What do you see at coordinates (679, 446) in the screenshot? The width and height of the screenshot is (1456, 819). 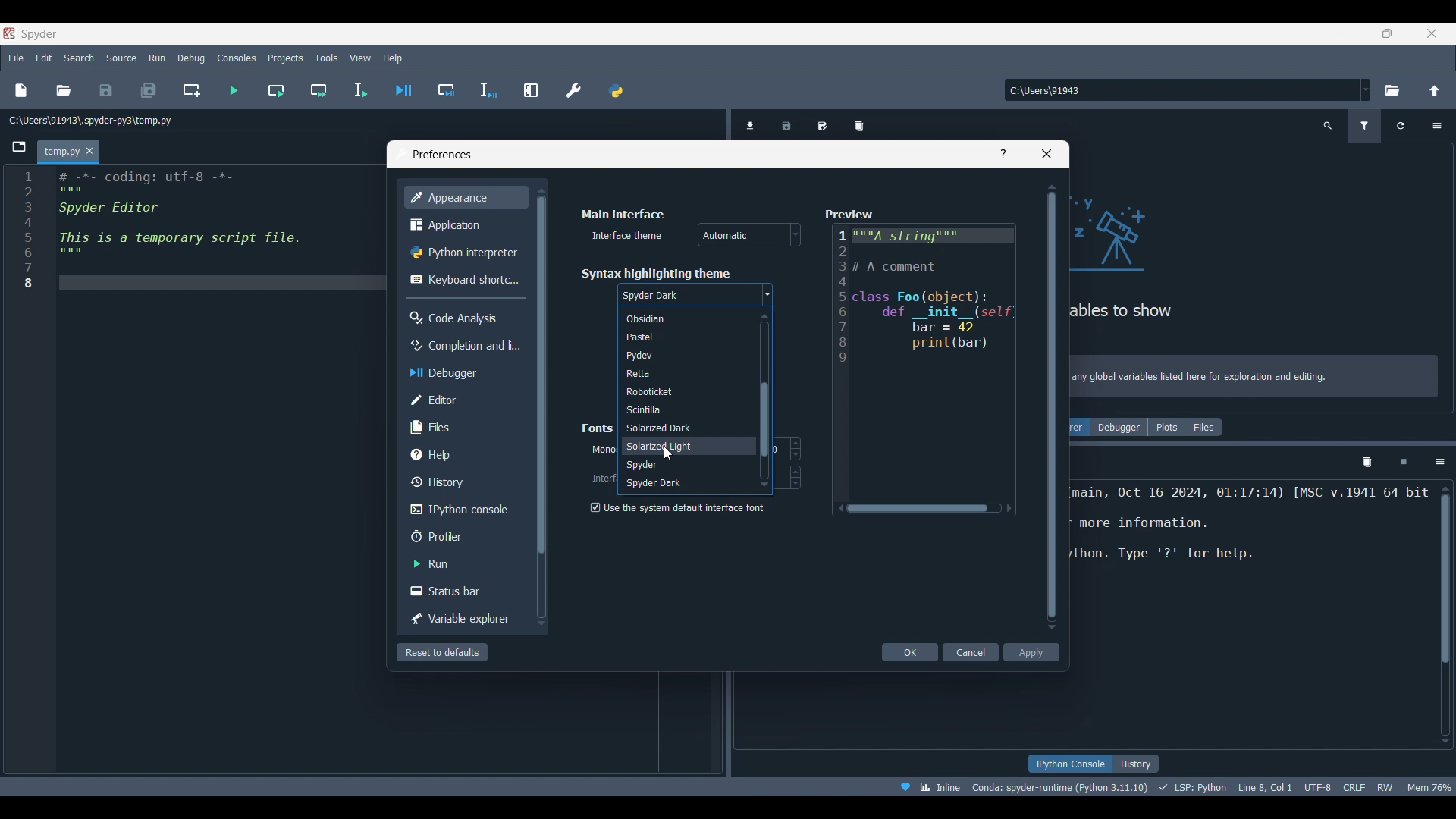 I see `solarized light` at bounding box center [679, 446].